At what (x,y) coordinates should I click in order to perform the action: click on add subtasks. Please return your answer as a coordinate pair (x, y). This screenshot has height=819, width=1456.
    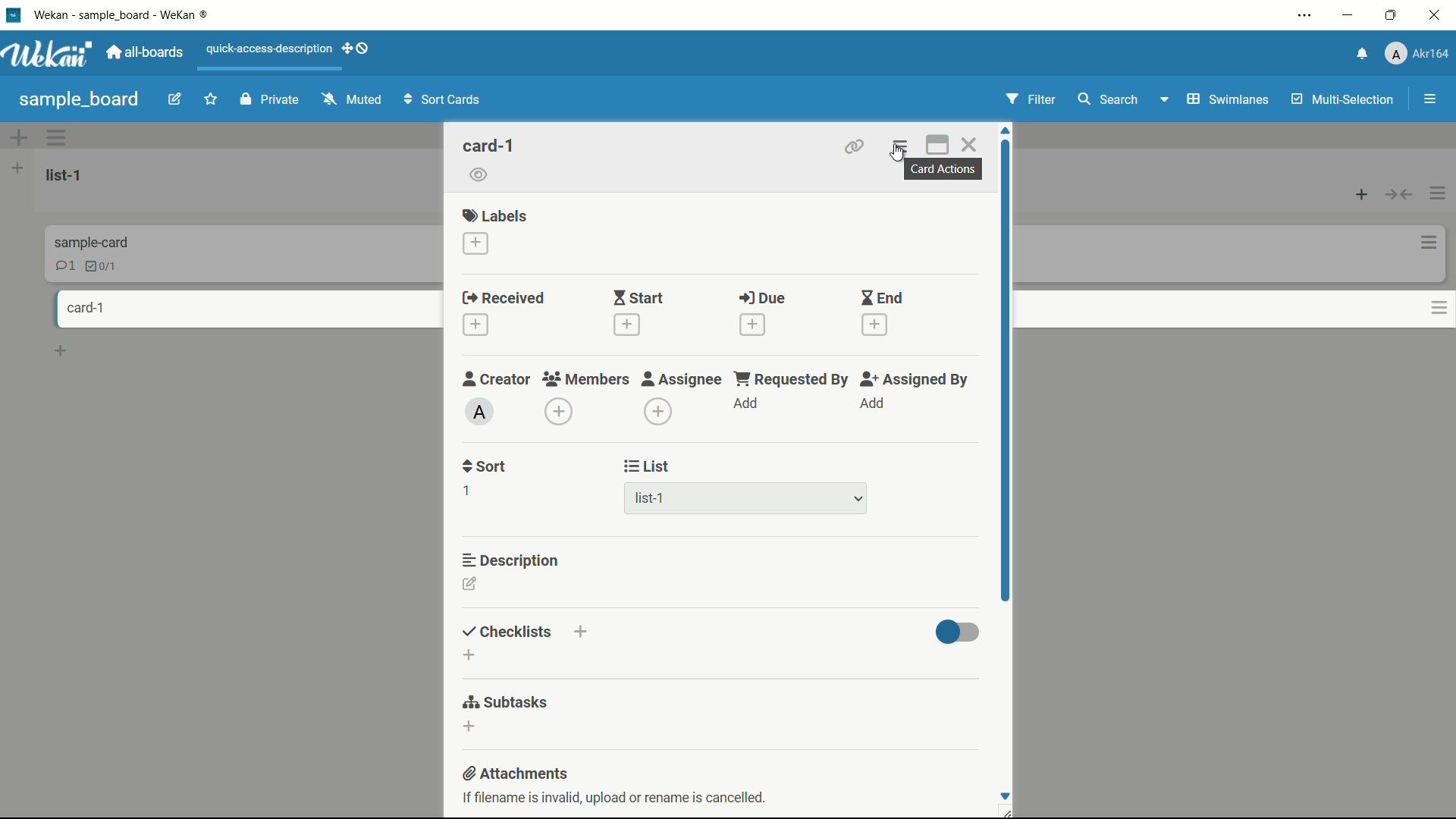
    Looking at the image, I should click on (468, 728).